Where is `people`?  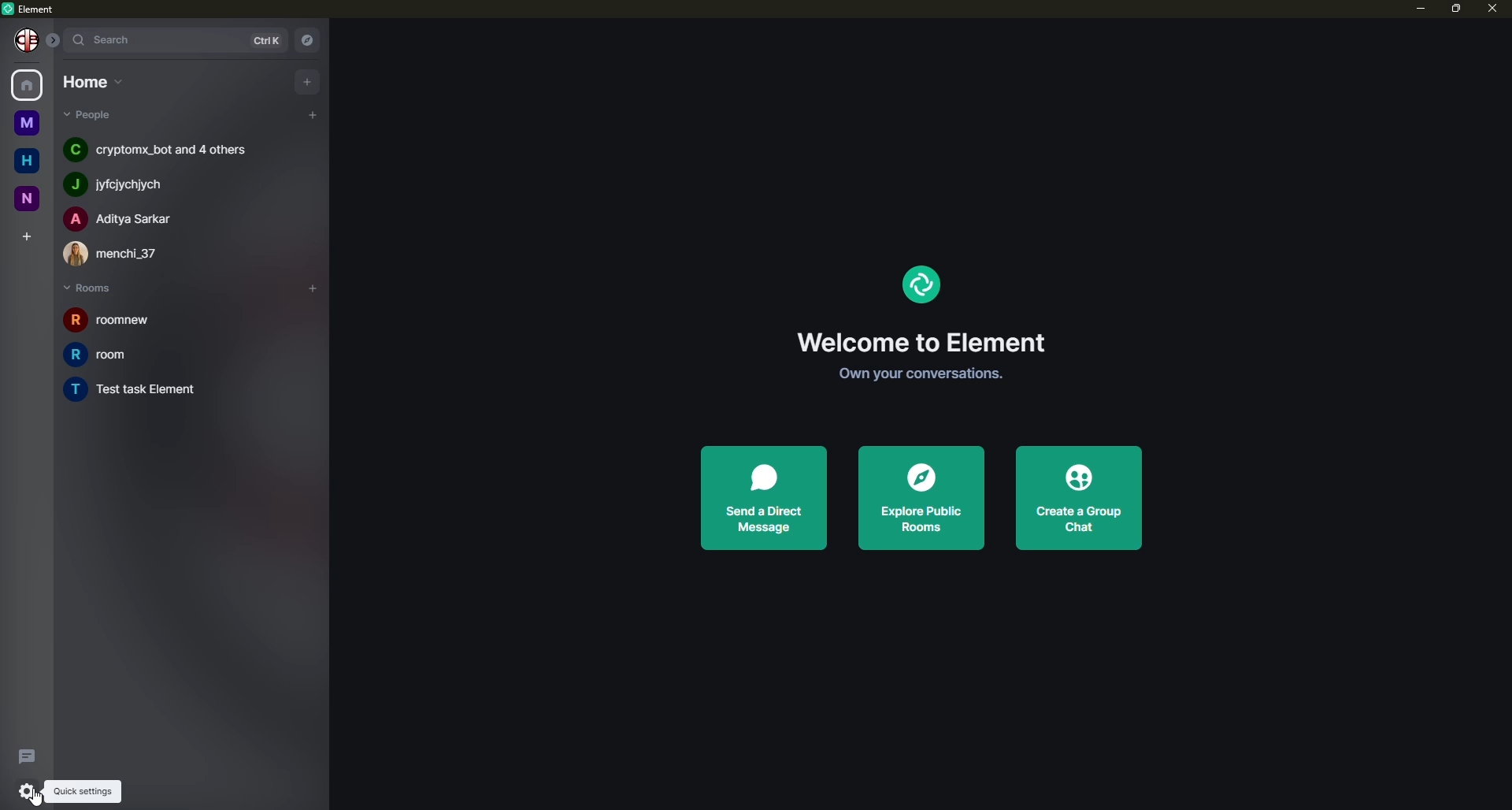 people is located at coordinates (88, 116).